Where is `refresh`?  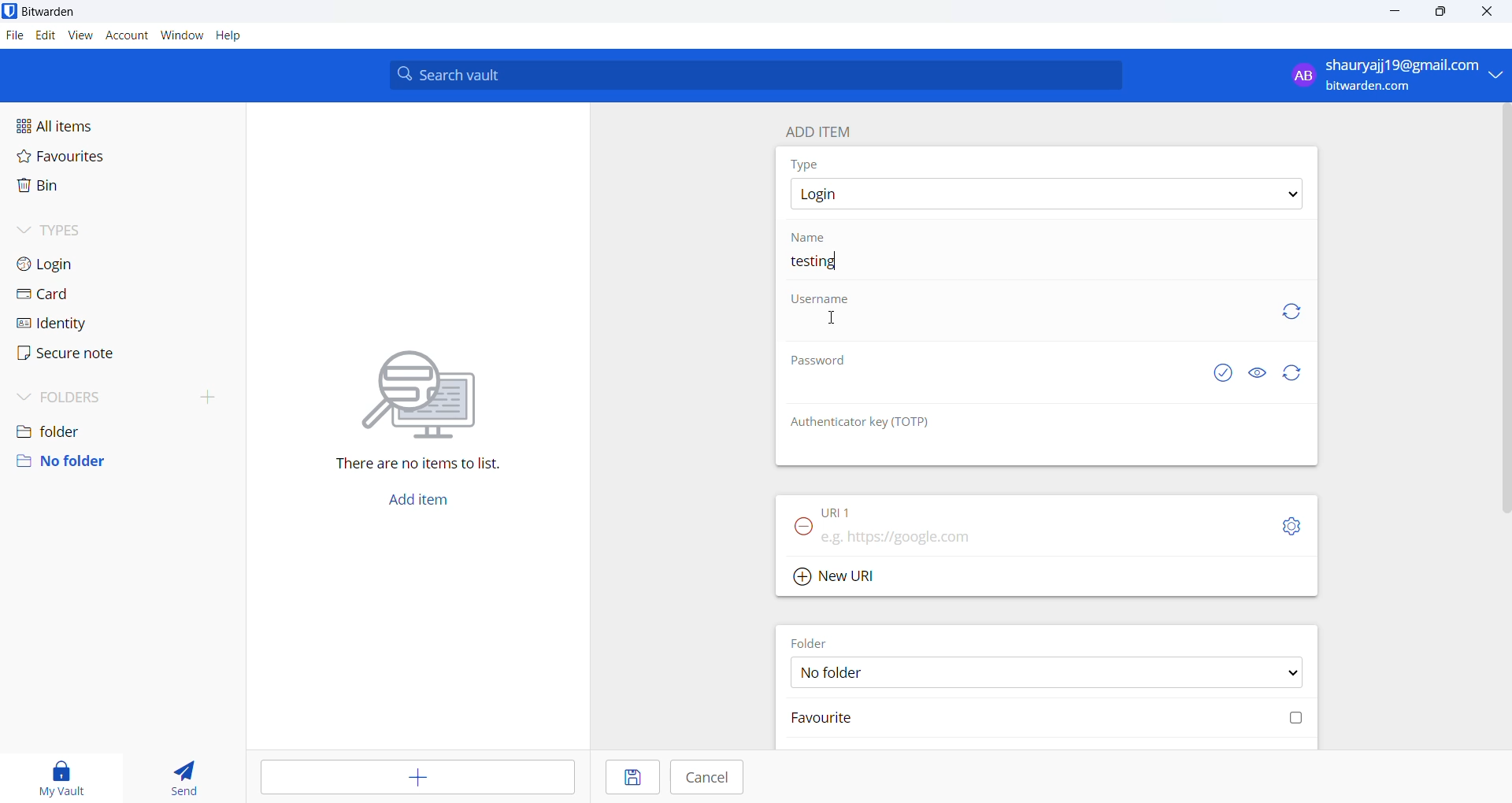 refresh is located at coordinates (1292, 373).